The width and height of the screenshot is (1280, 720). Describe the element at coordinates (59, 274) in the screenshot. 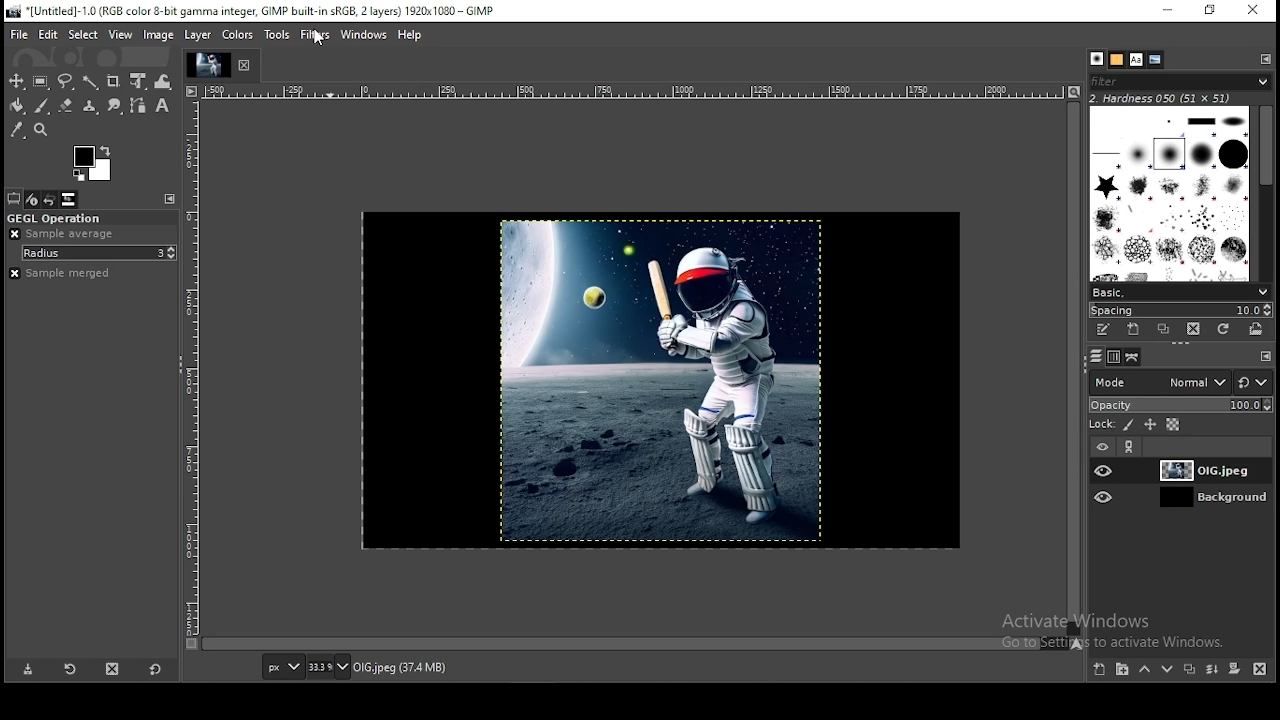

I see `sample merged` at that location.